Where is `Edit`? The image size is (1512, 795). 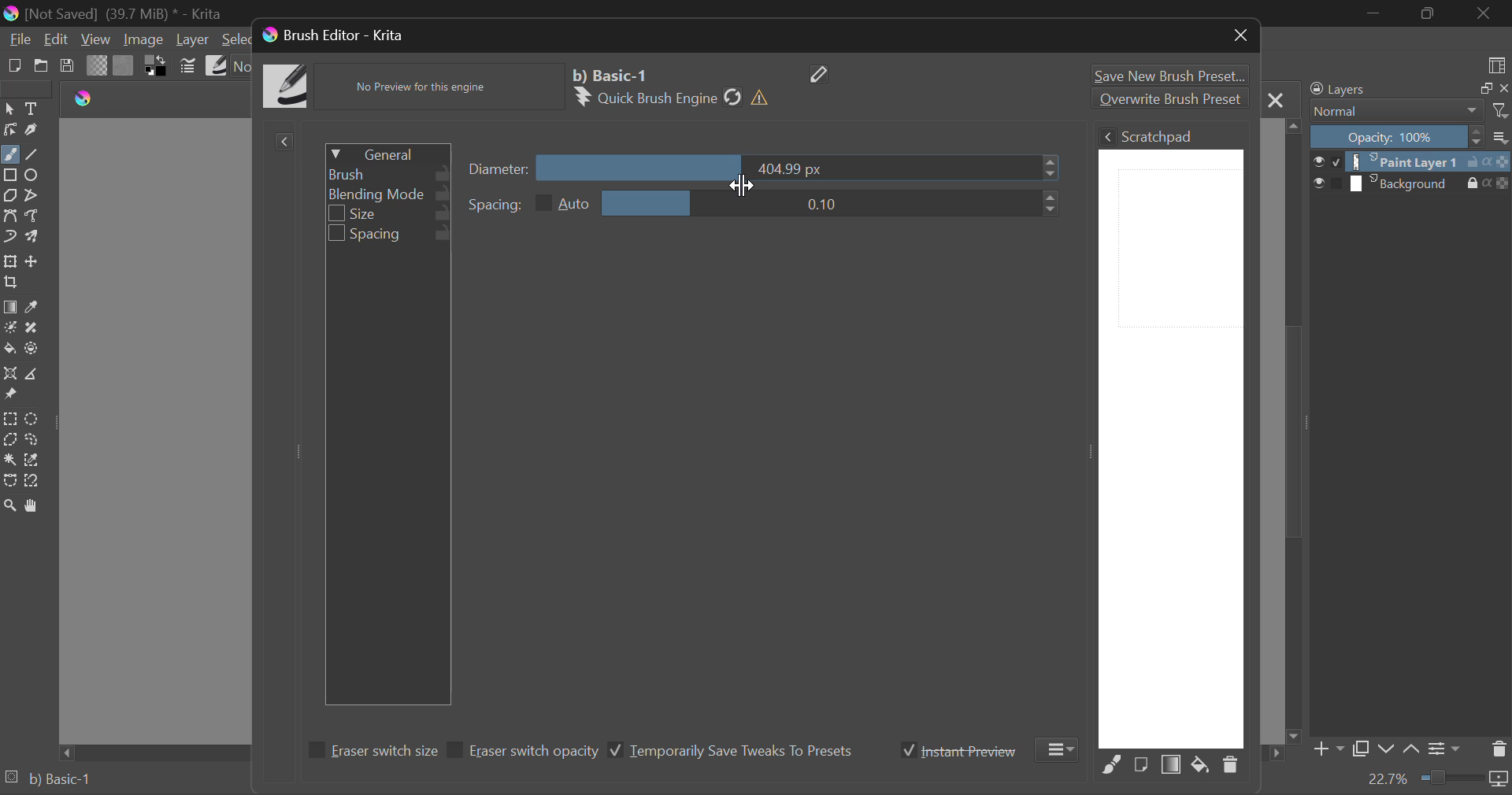 Edit is located at coordinates (57, 39).